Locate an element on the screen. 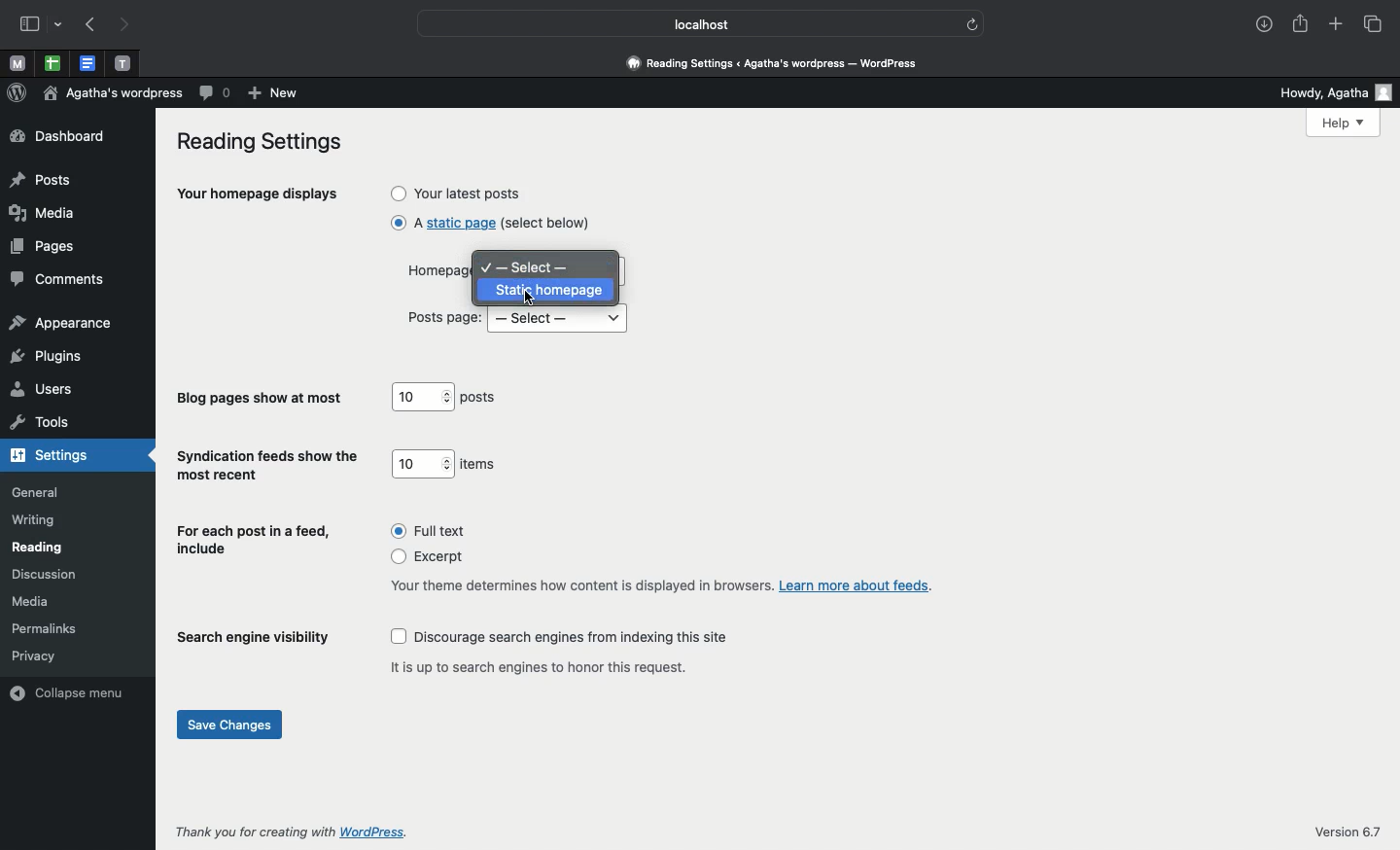 The width and height of the screenshot is (1400, 850). Syndication feeds show the most recent is located at coordinates (268, 466).